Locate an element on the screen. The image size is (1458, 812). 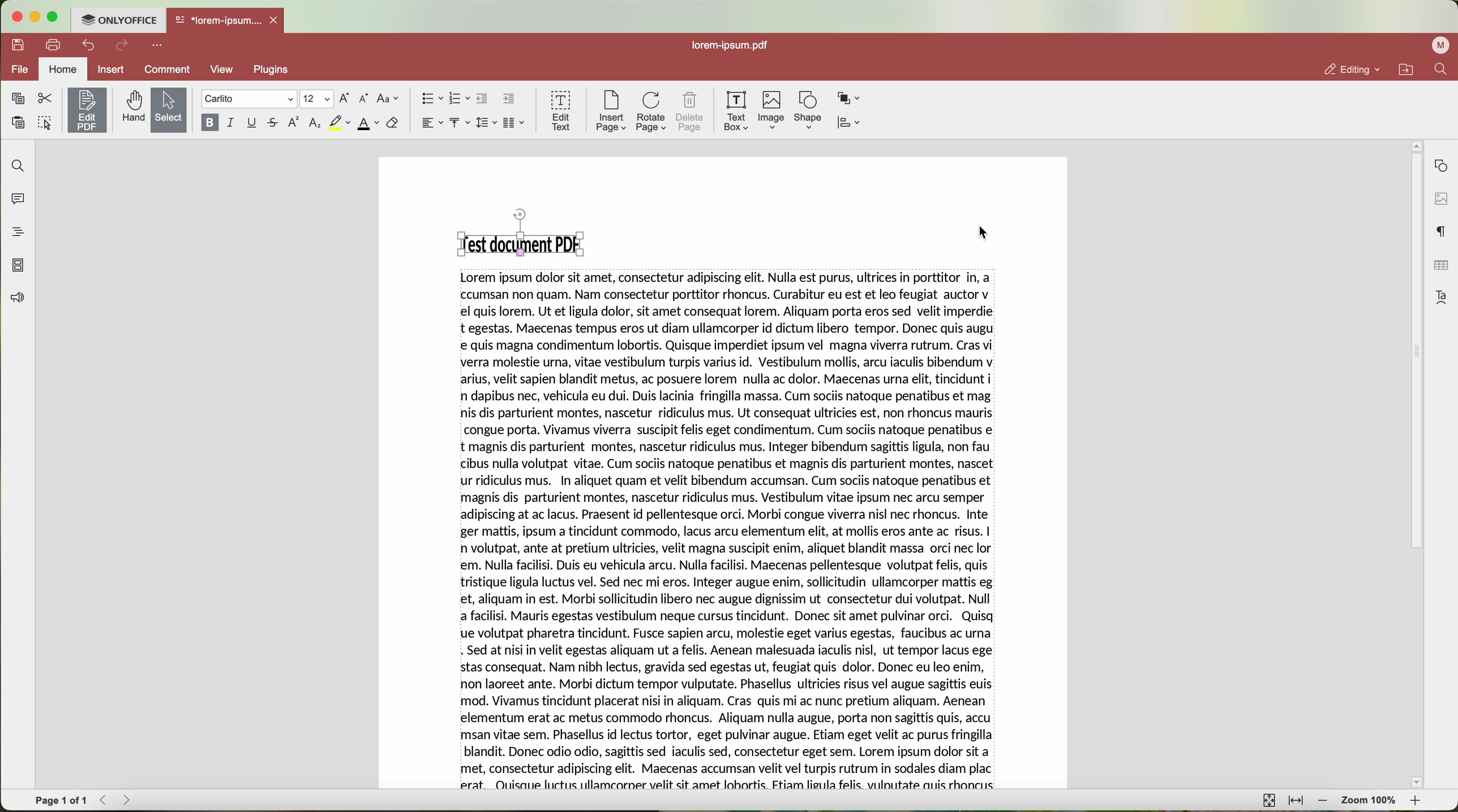
image settings is located at coordinates (1440, 198).